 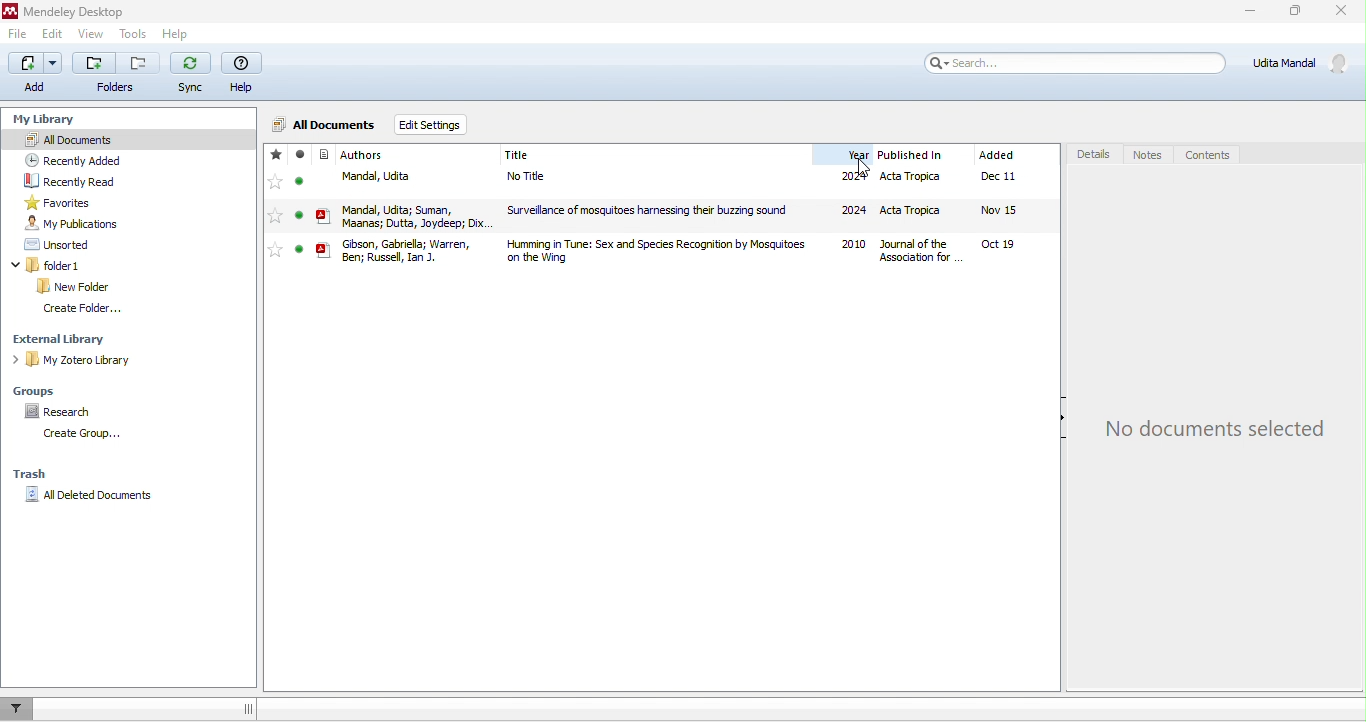 What do you see at coordinates (324, 126) in the screenshot?
I see `all documents` at bounding box center [324, 126].